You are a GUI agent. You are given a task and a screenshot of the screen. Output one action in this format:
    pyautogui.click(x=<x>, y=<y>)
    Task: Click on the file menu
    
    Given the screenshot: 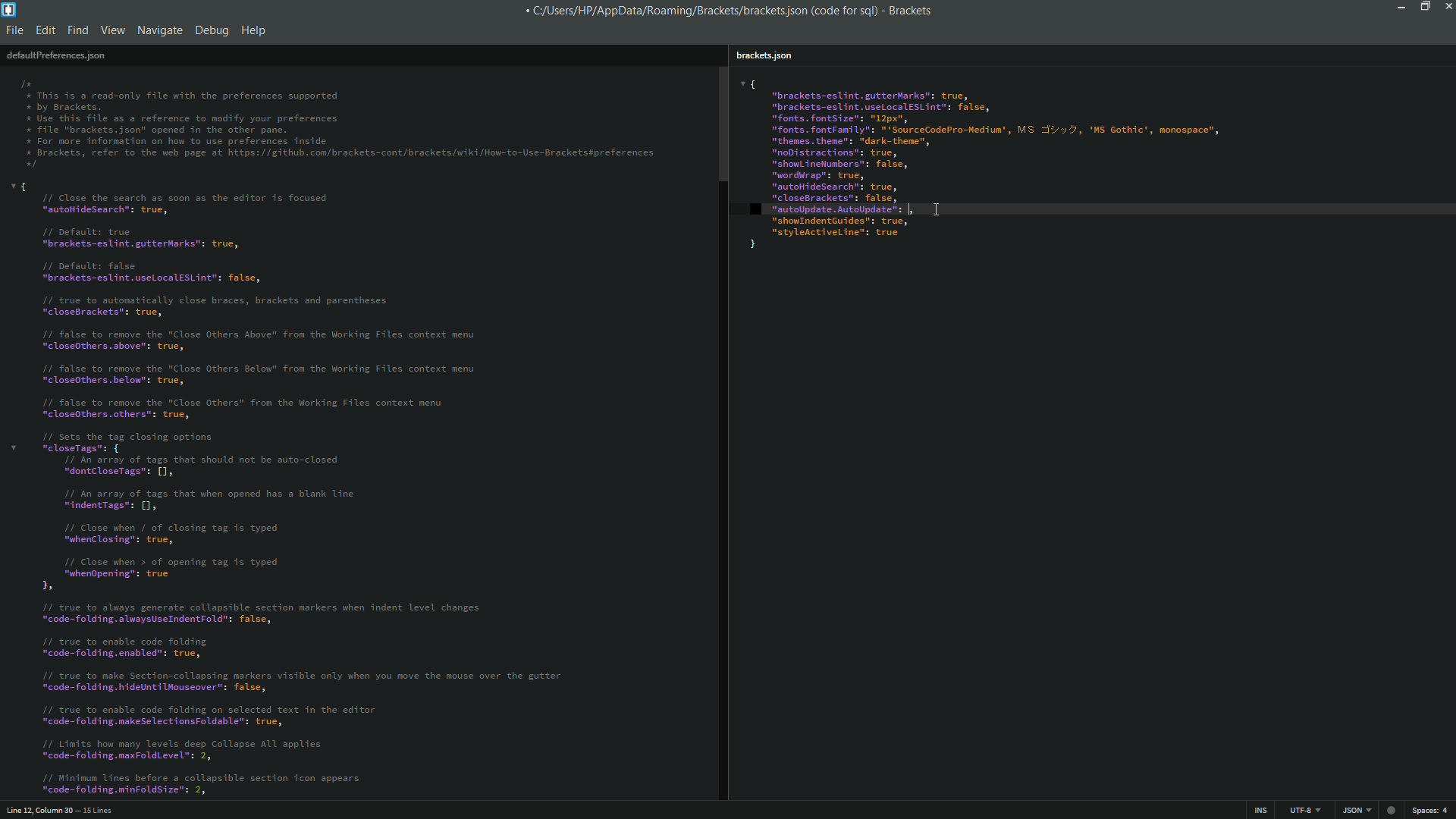 What is the action you would take?
    pyautogui.click(x=15, y=30)
    